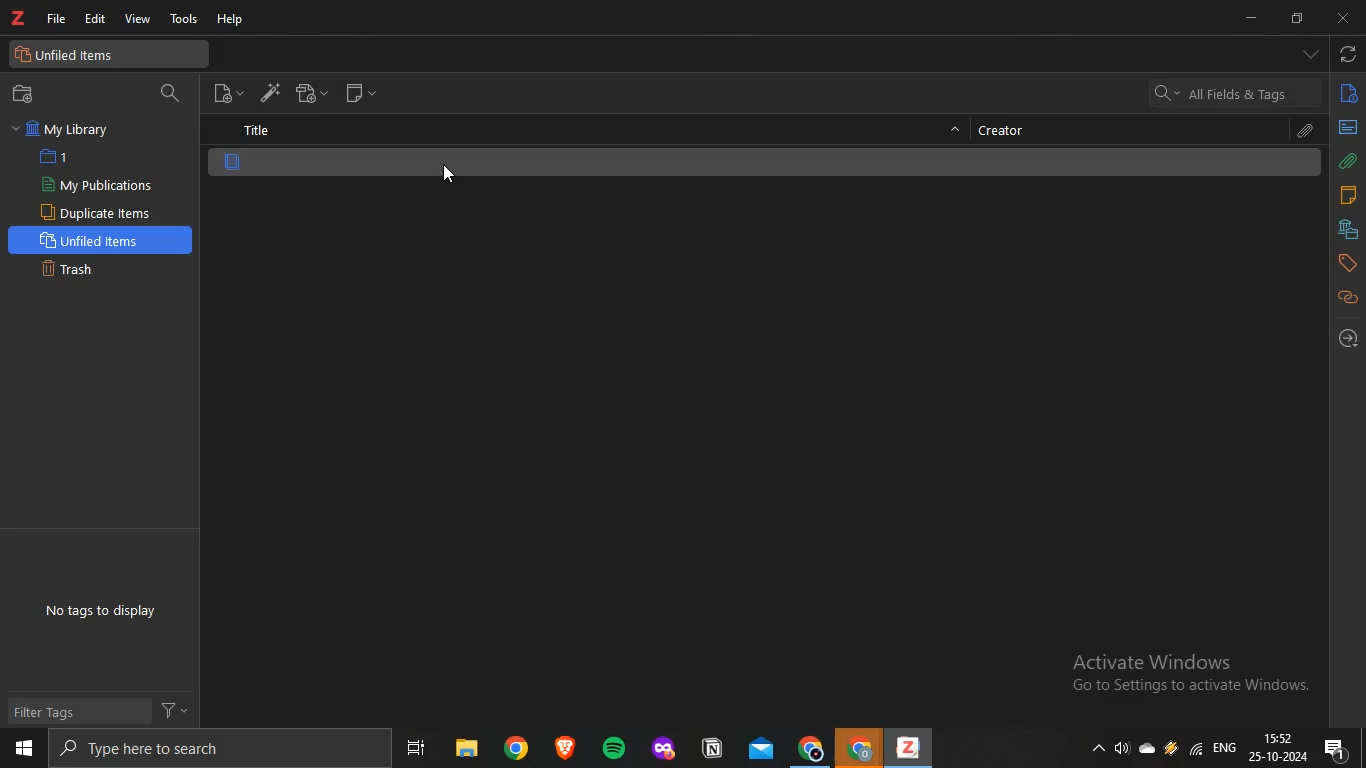 This screenshot has width=1366, height=768. What do you see at coordinates (1347, 338) in the screenshot?
I see `locate` at bounding box center [1347, 338].